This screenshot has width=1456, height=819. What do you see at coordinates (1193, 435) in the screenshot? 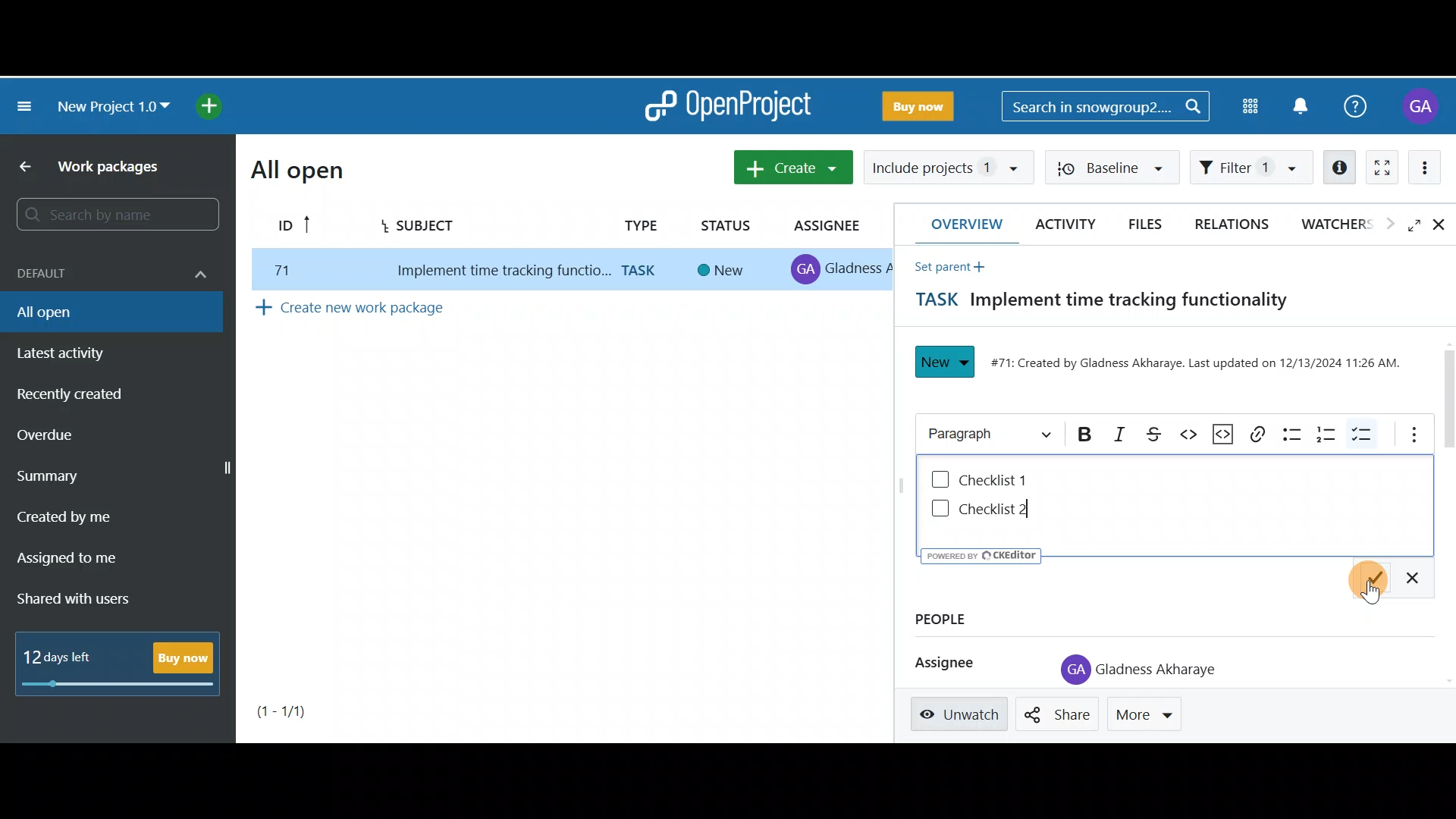
I see `Code` at bounding box center [1193, 435].